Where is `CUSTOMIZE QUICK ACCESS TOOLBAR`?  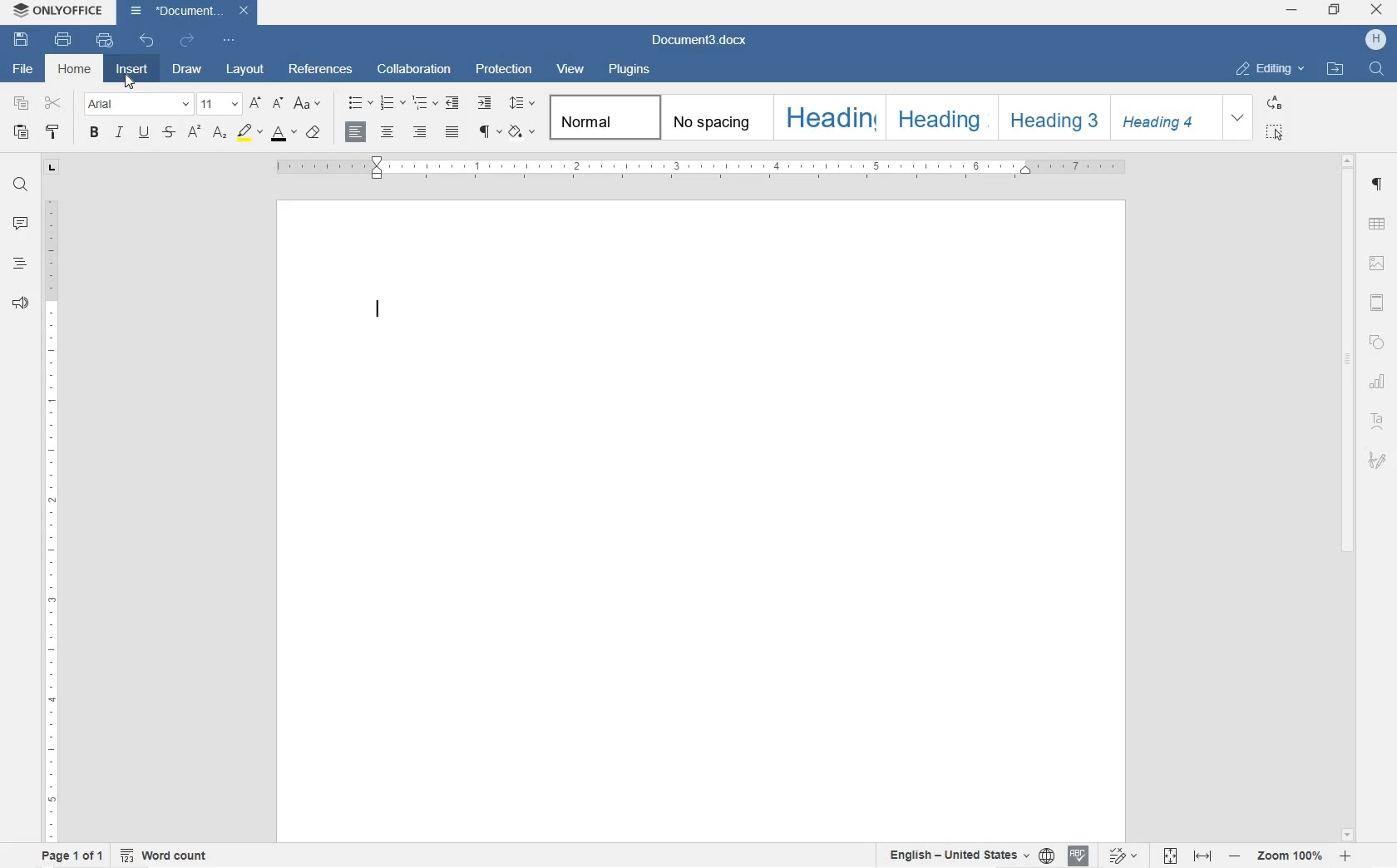
CUSTOMIZE QUICK ACCESS TOOLBAR is located at coordinates (227, 40).